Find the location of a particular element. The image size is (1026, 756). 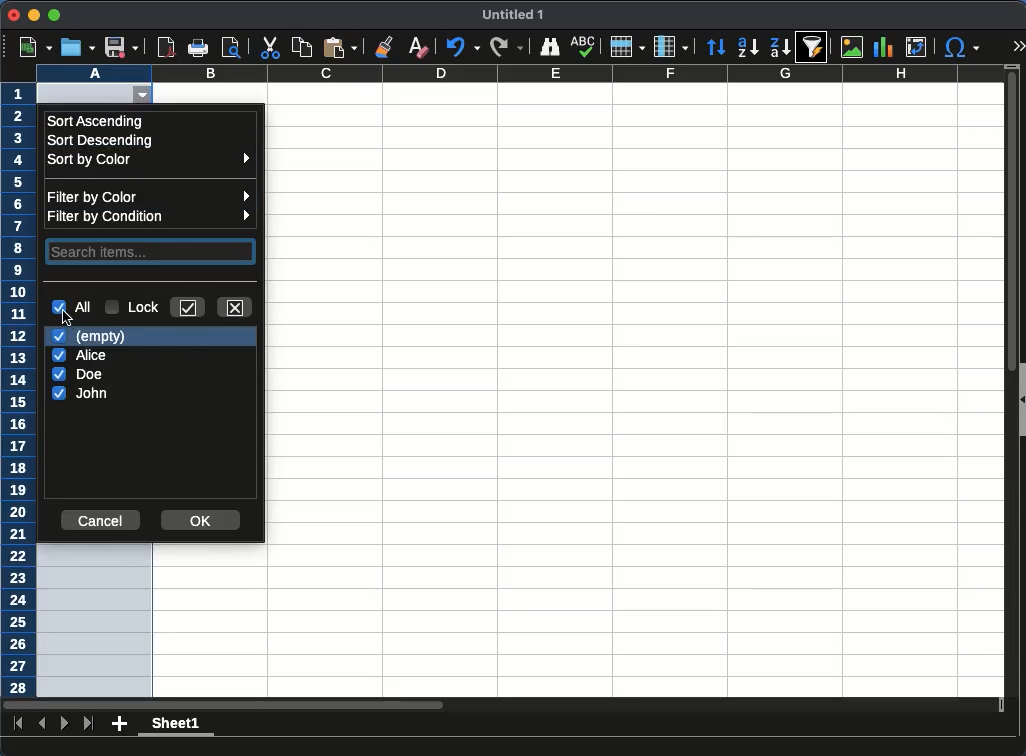

sort descending is located at coordinates (99, 140).